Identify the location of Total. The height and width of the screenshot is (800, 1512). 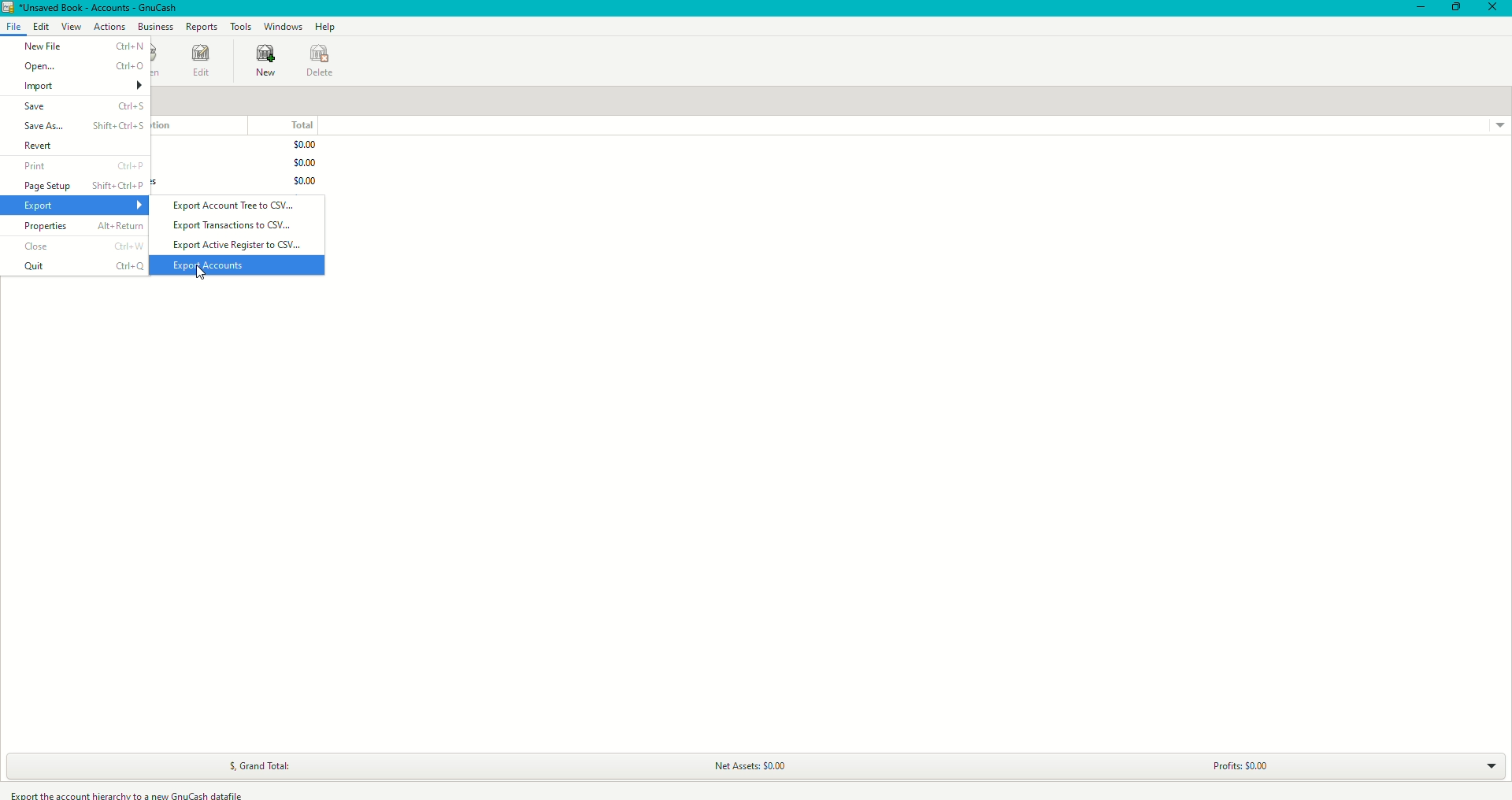
(295, 124).